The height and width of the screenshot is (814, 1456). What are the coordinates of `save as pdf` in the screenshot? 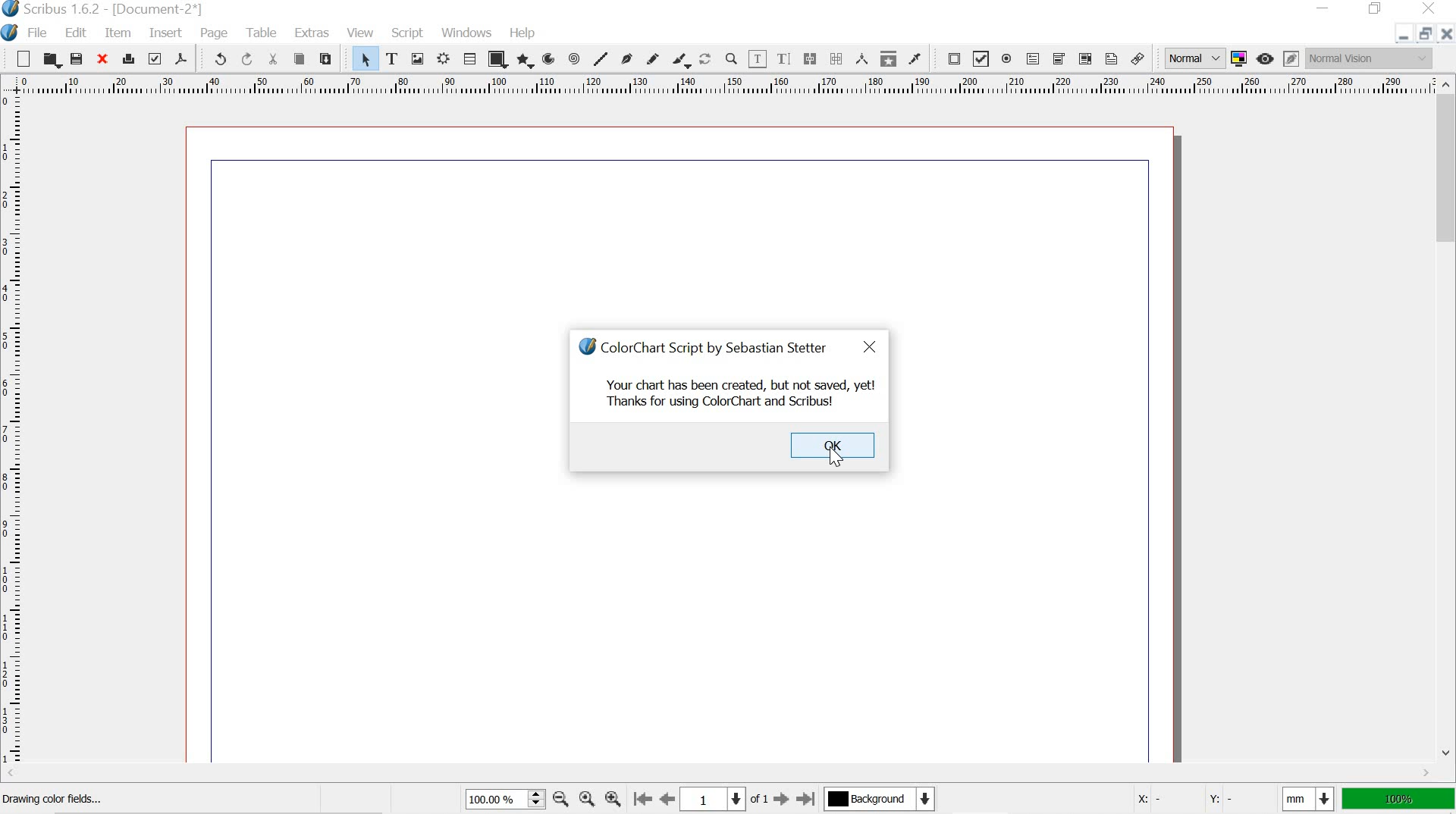 It's located at (183, 59).